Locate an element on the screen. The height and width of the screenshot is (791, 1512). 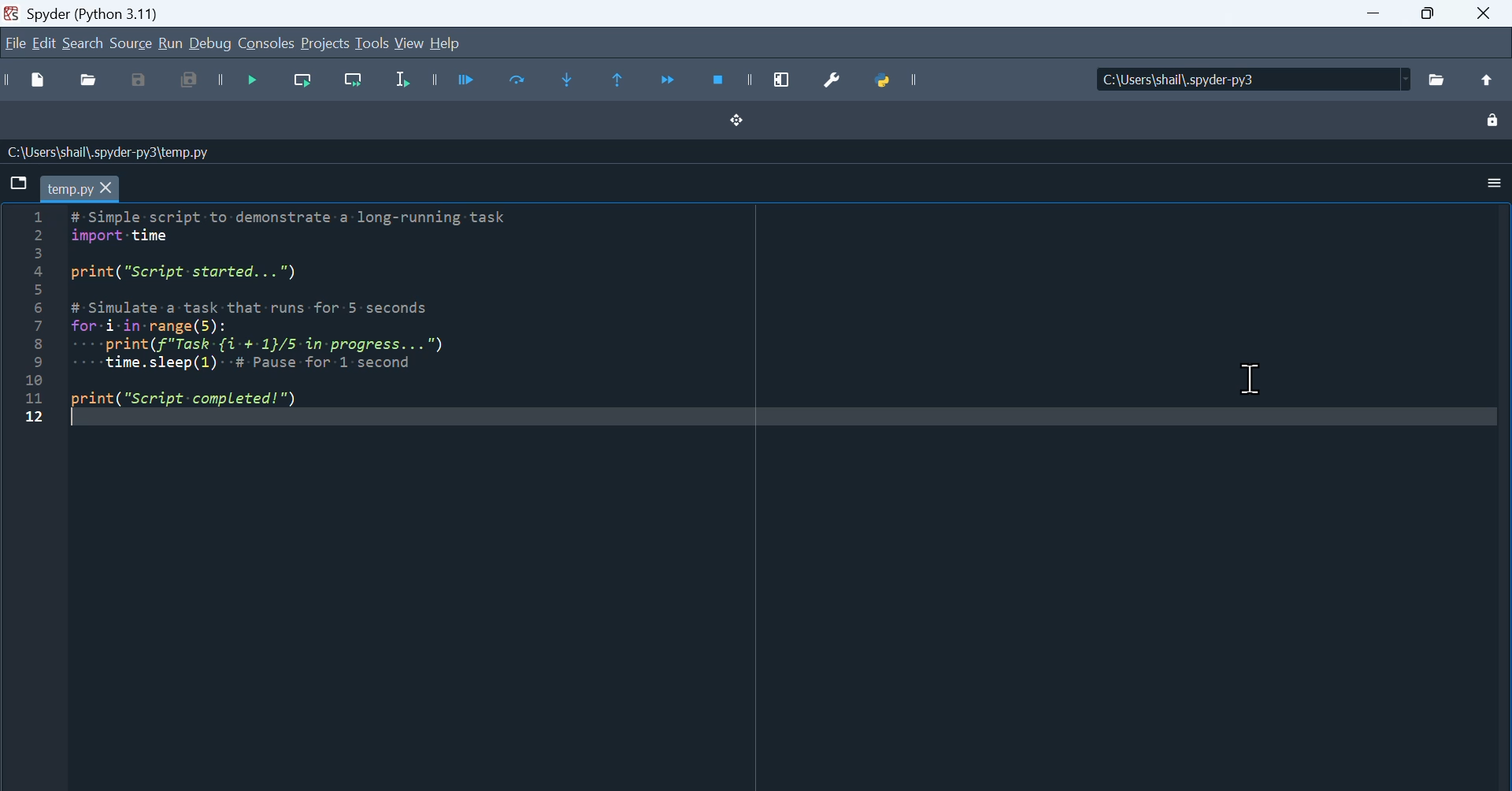
run is located at coordinates (169, 42).